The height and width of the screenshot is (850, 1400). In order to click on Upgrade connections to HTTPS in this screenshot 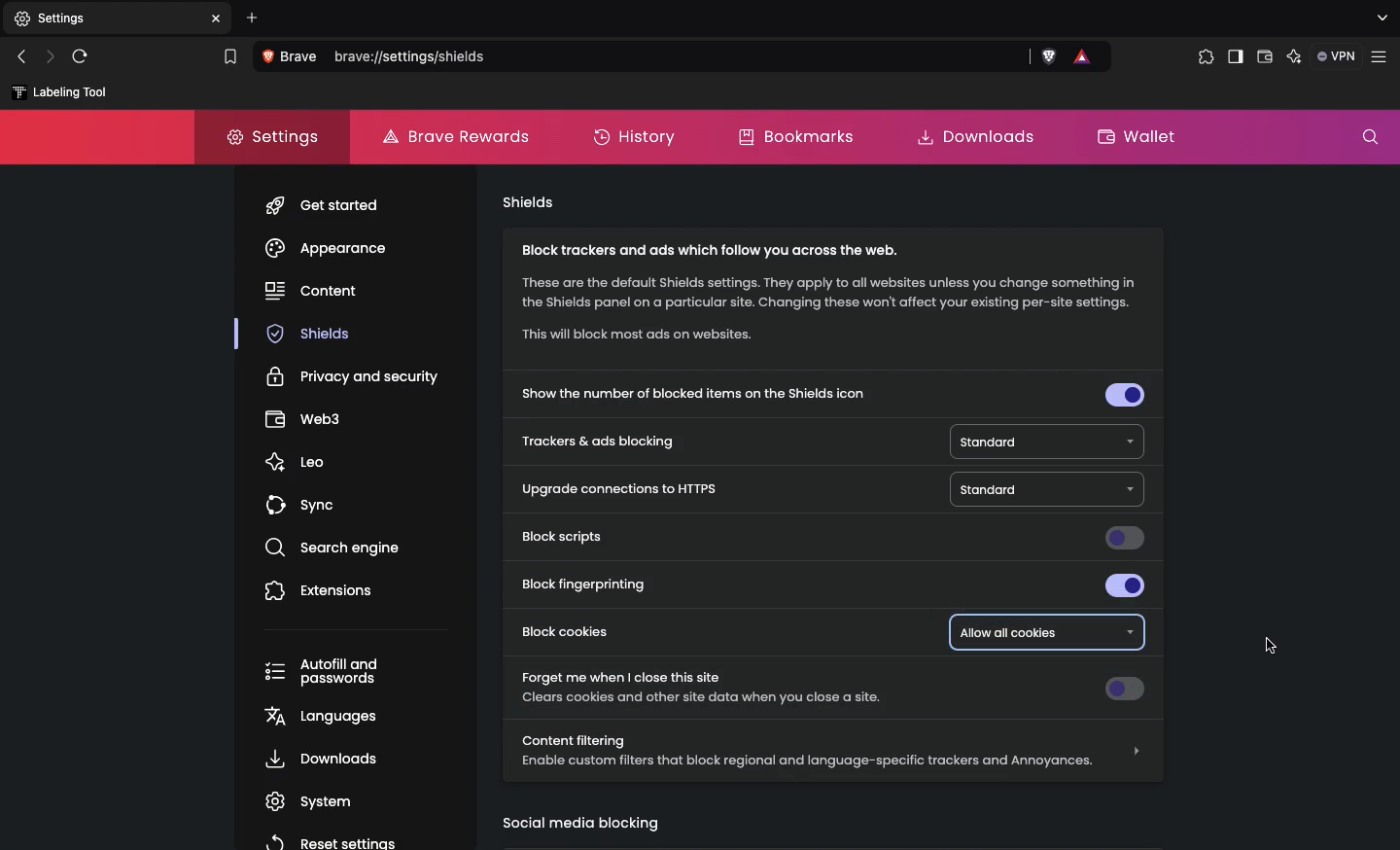, I will do `click(617, 488)`.